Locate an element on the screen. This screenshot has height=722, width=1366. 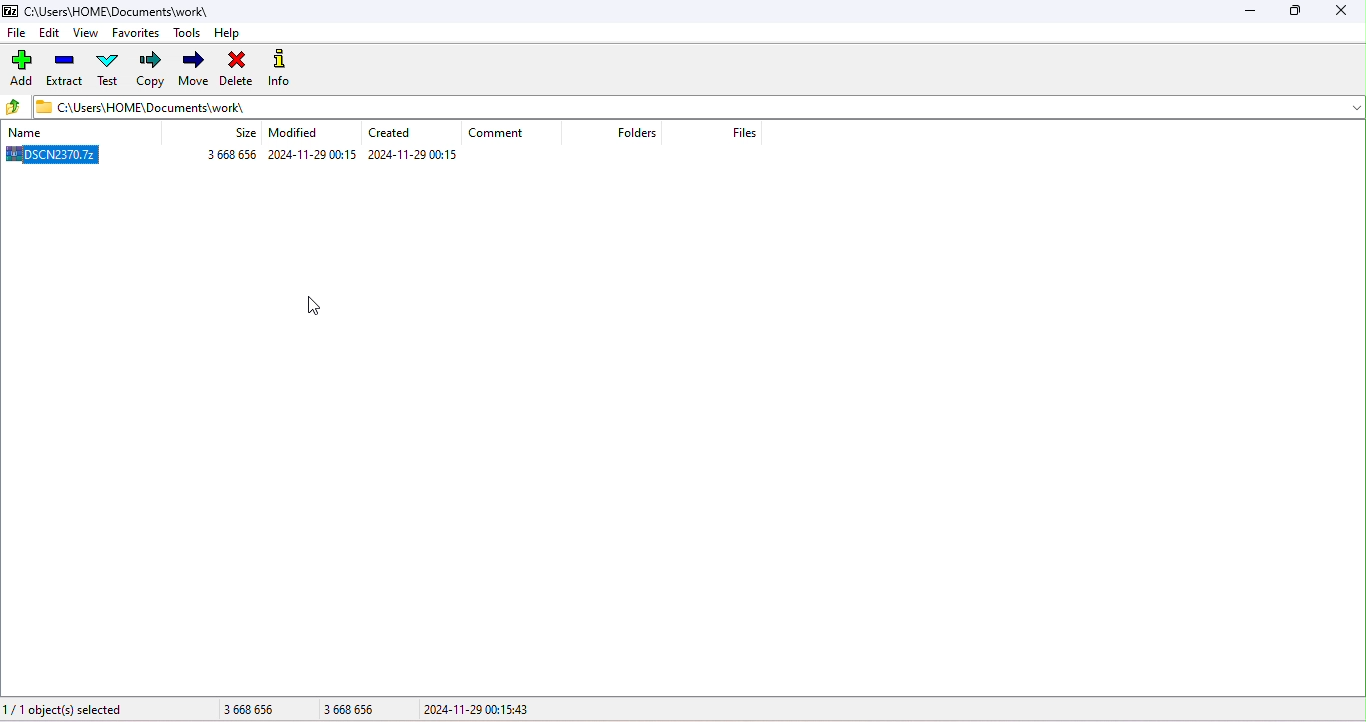
add is located at coordinates (21, 69).